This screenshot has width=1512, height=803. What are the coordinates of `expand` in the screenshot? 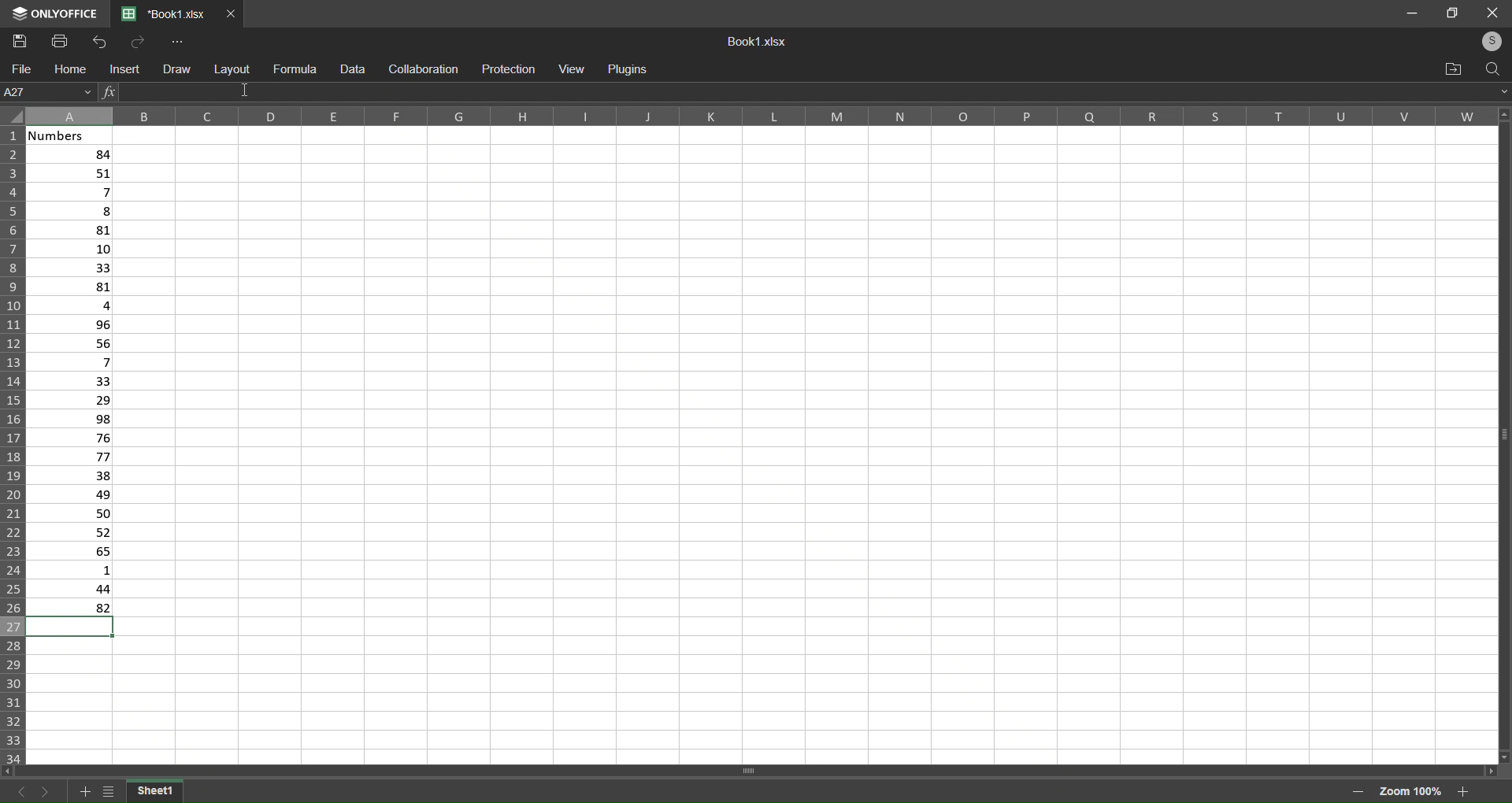 It's located at (1501, 89).